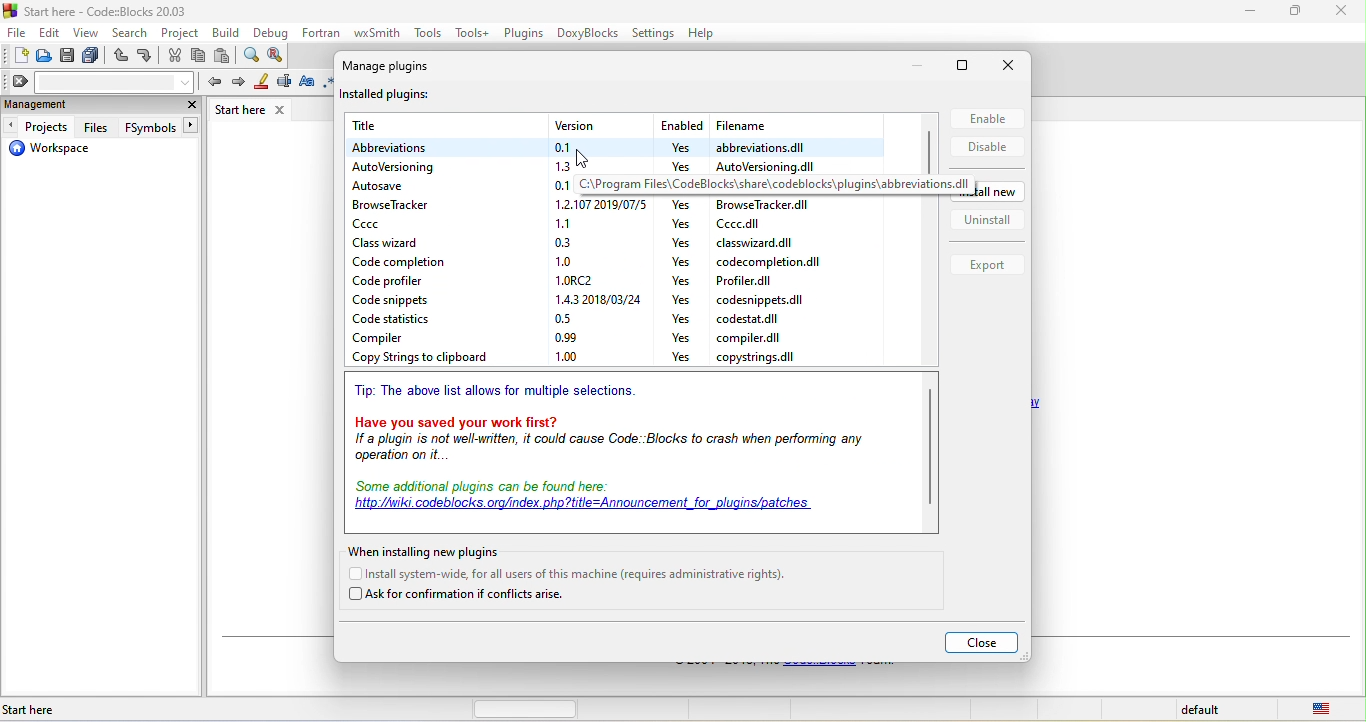 Image resolution: width=1366 pixels, height=722 pixels. I want to click on fsymbols, so click(158, 126).